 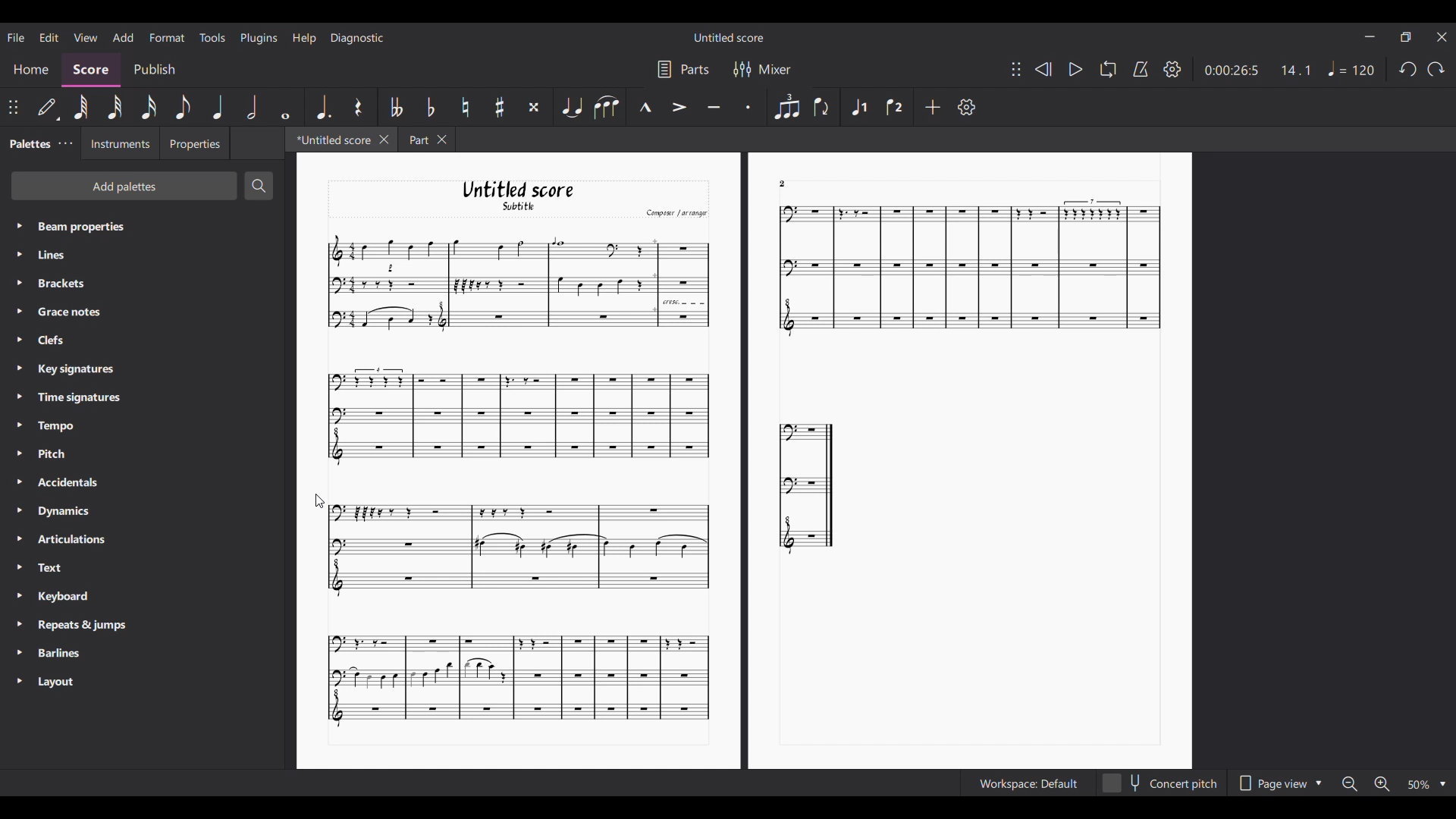 What do you see at coordinates (516, 417) in the screenshot?
I see `Graph` at bounding box center [516, 417].